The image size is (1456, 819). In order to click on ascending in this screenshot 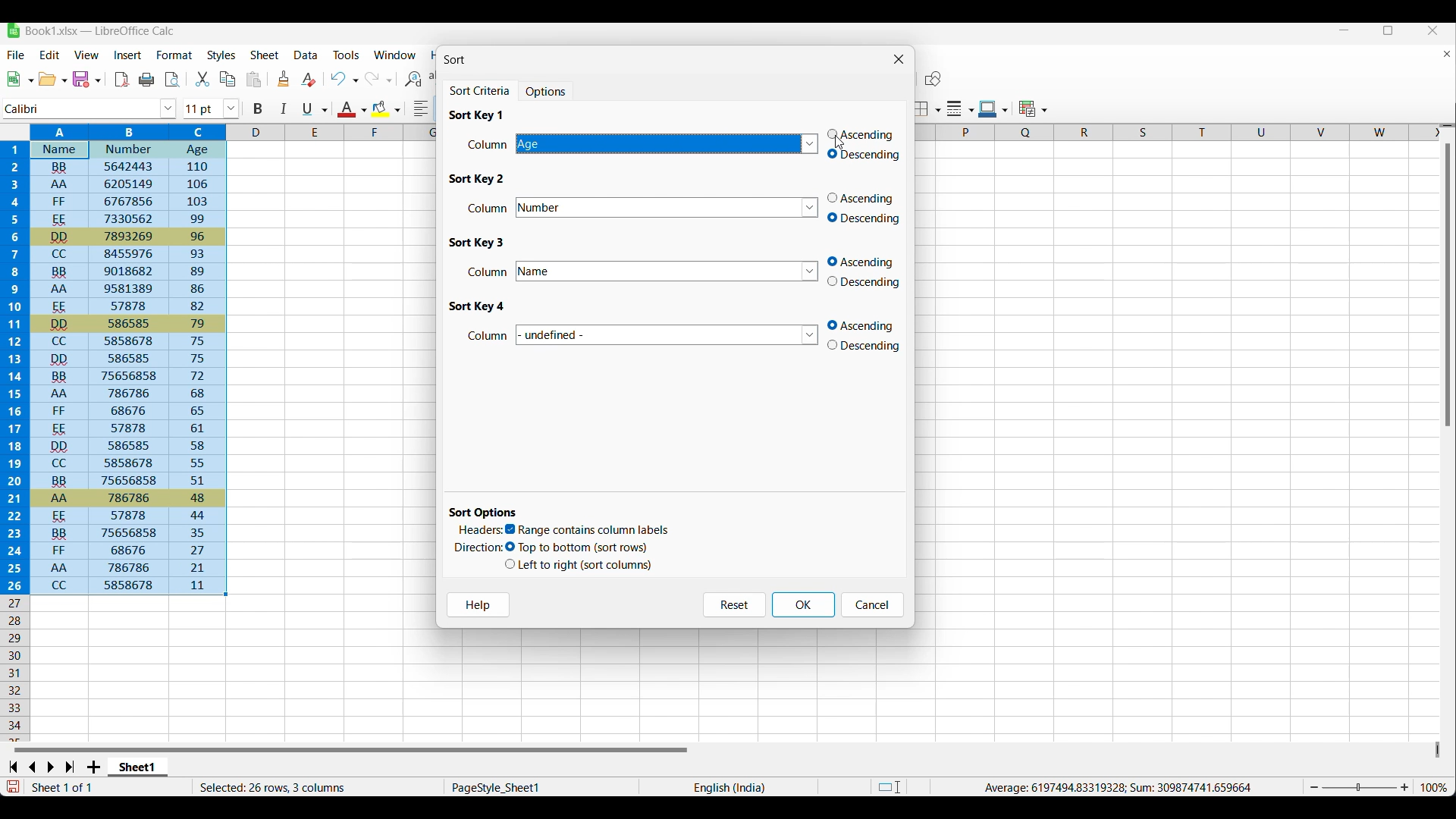, I will do `click(865, 262)`.